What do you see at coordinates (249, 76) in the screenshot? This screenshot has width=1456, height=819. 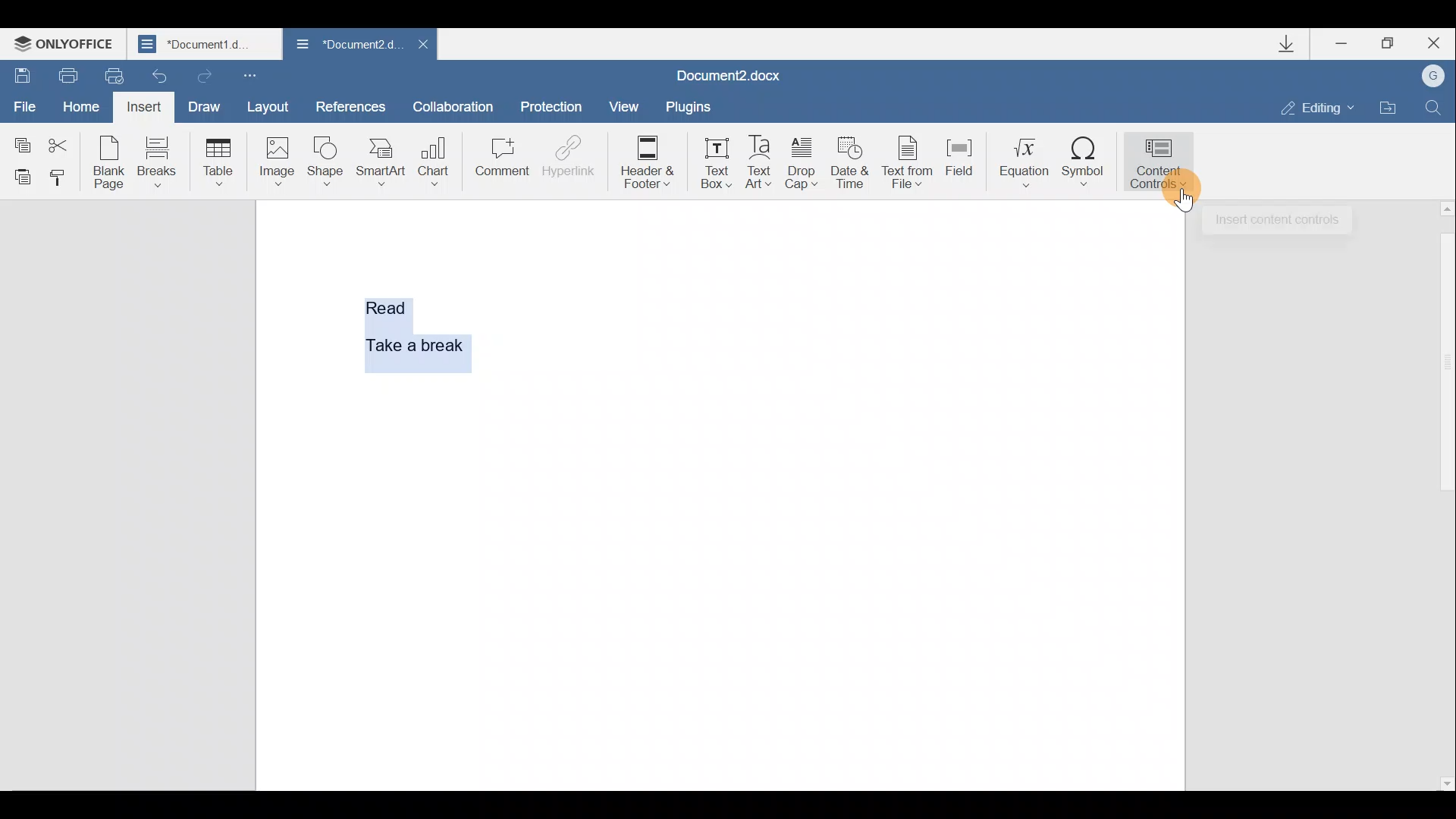 I see `Customize quick access toolbar` at bounding box center [249, 76].